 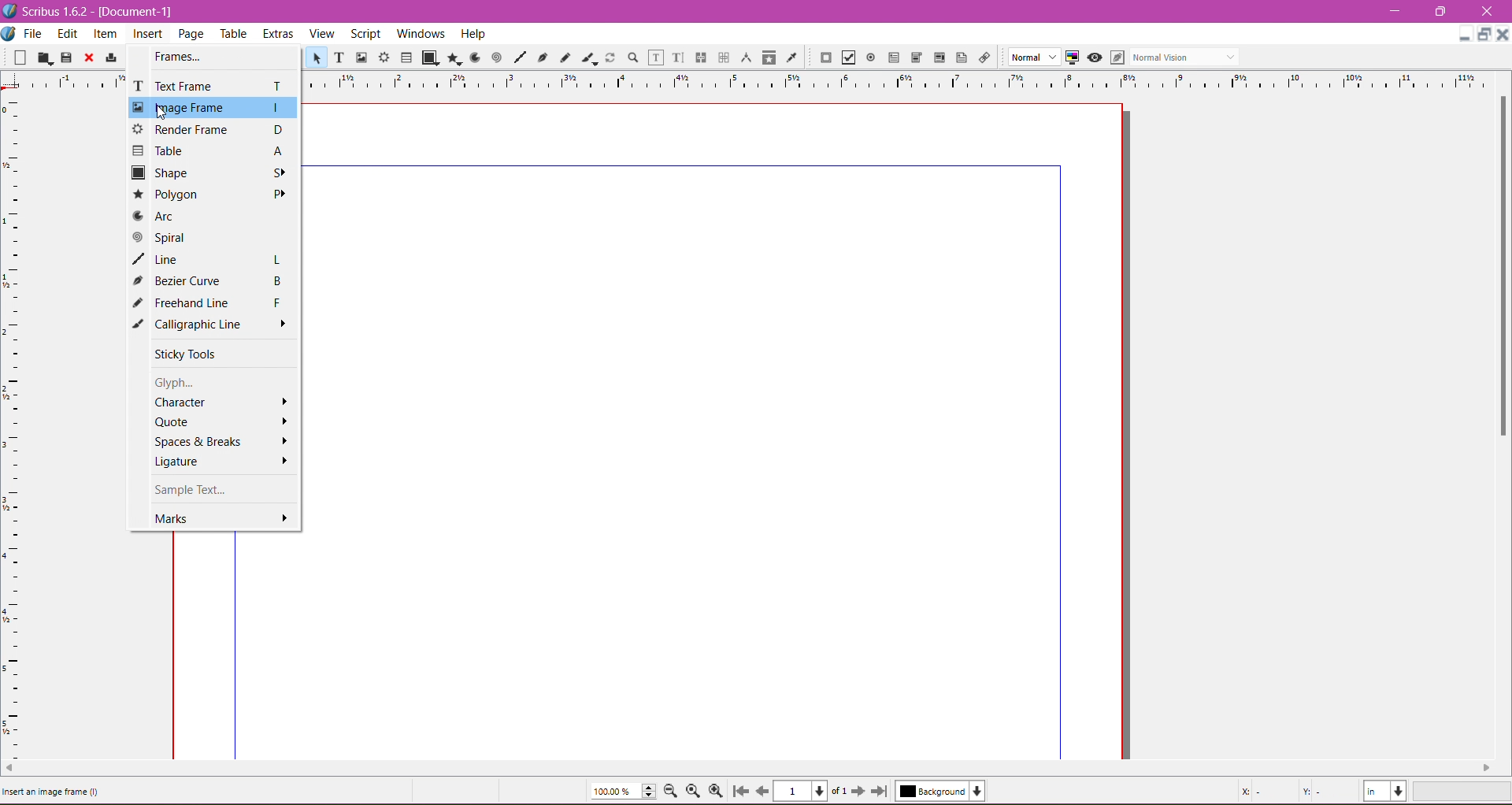 What do you see at coordinates (146, 35) in the screenshot?
I see `Insight` at bounding box center [146, 35].